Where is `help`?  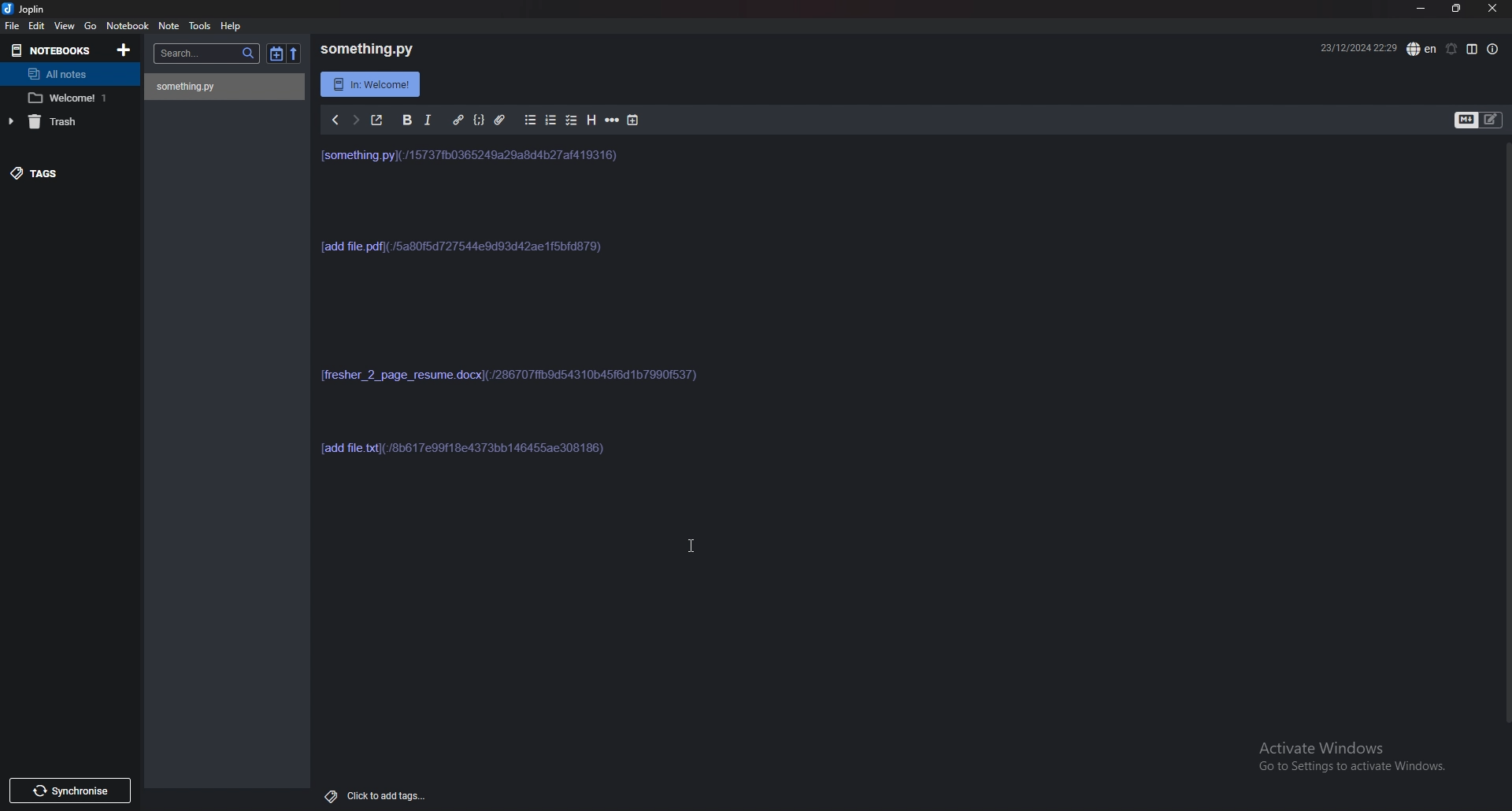
help is located at coordinates (233, 27).